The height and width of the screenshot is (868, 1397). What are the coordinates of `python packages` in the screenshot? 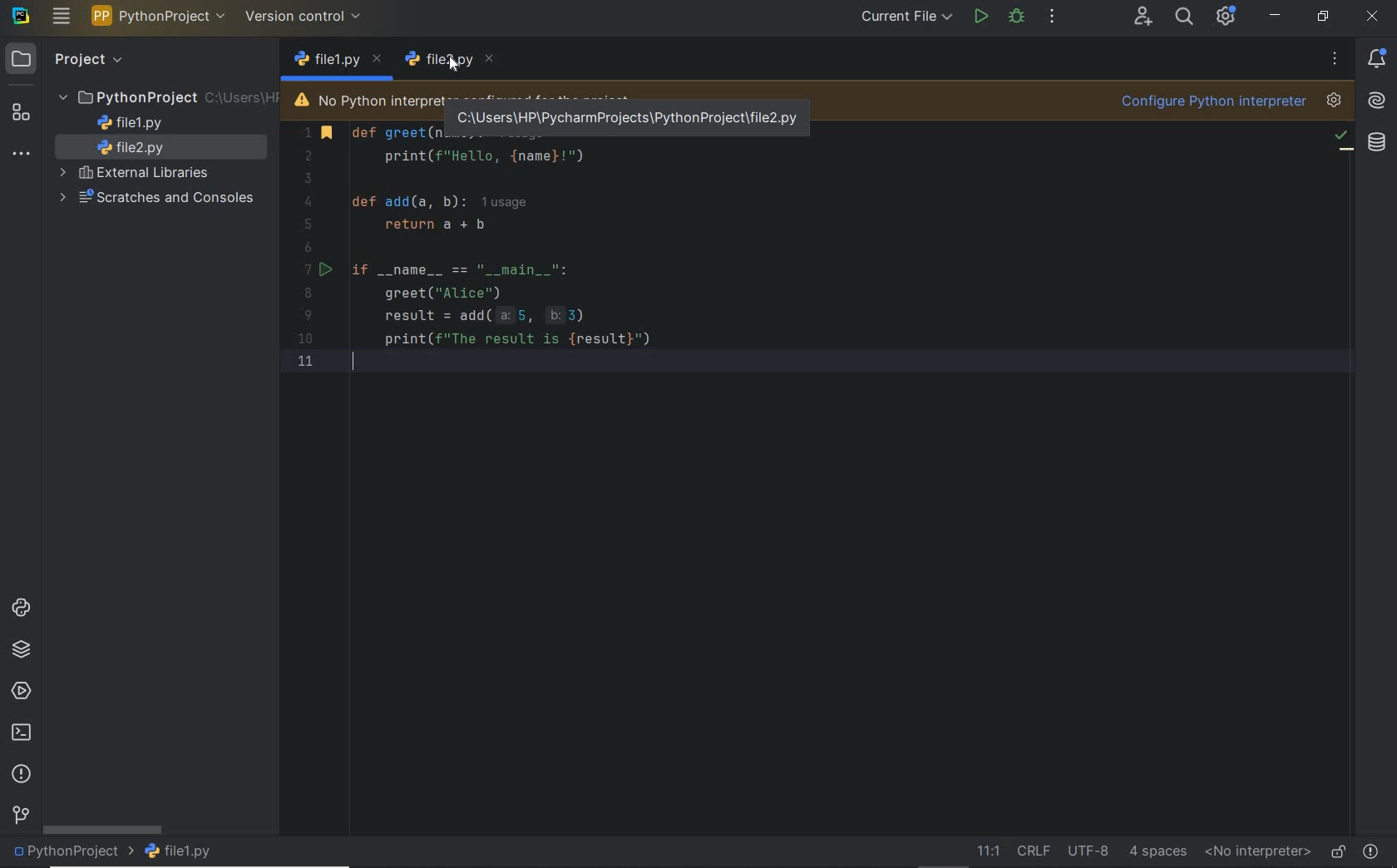 It's located at (23, 651).